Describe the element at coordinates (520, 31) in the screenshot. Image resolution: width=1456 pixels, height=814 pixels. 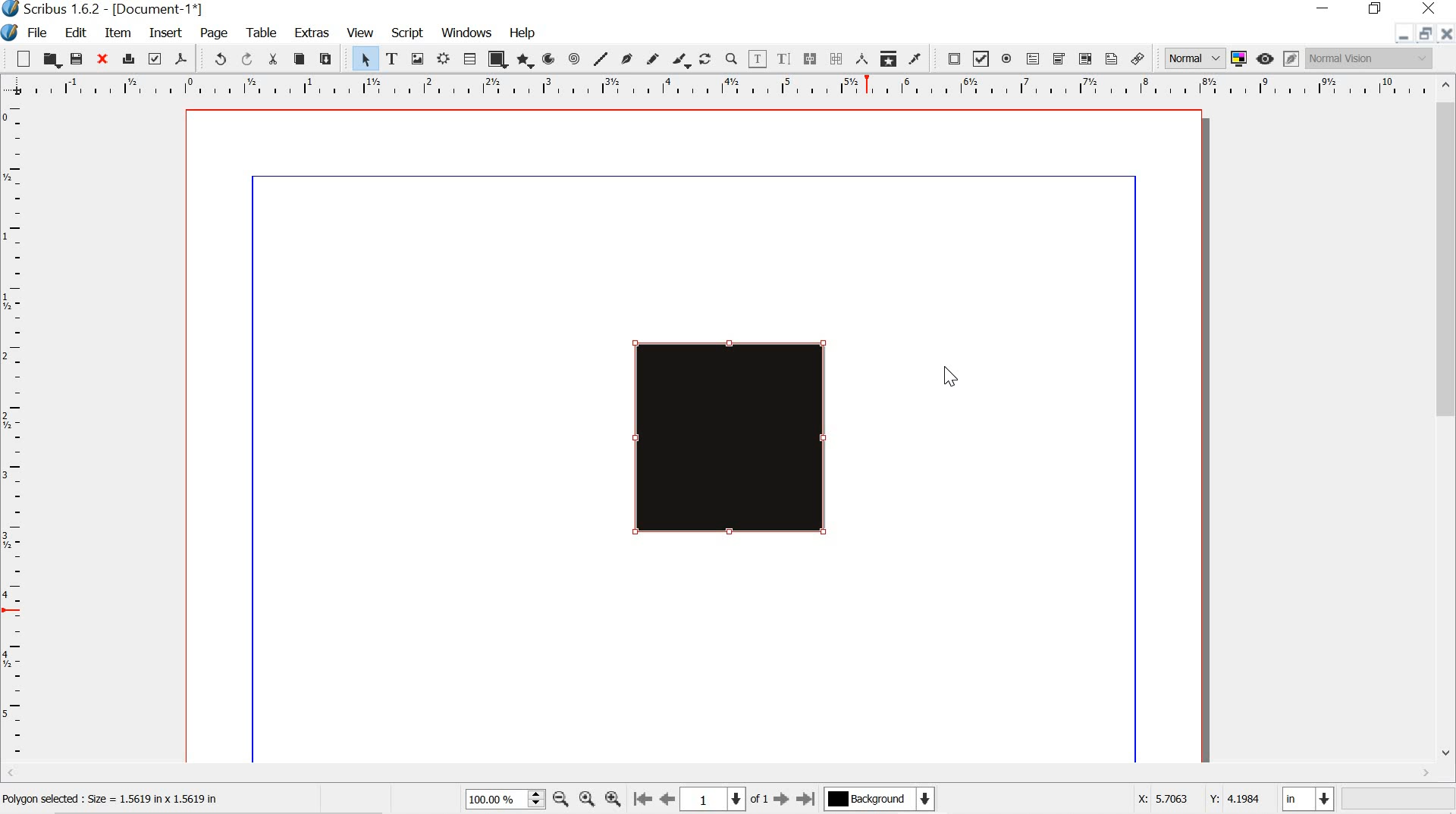
I see `help` at that location.